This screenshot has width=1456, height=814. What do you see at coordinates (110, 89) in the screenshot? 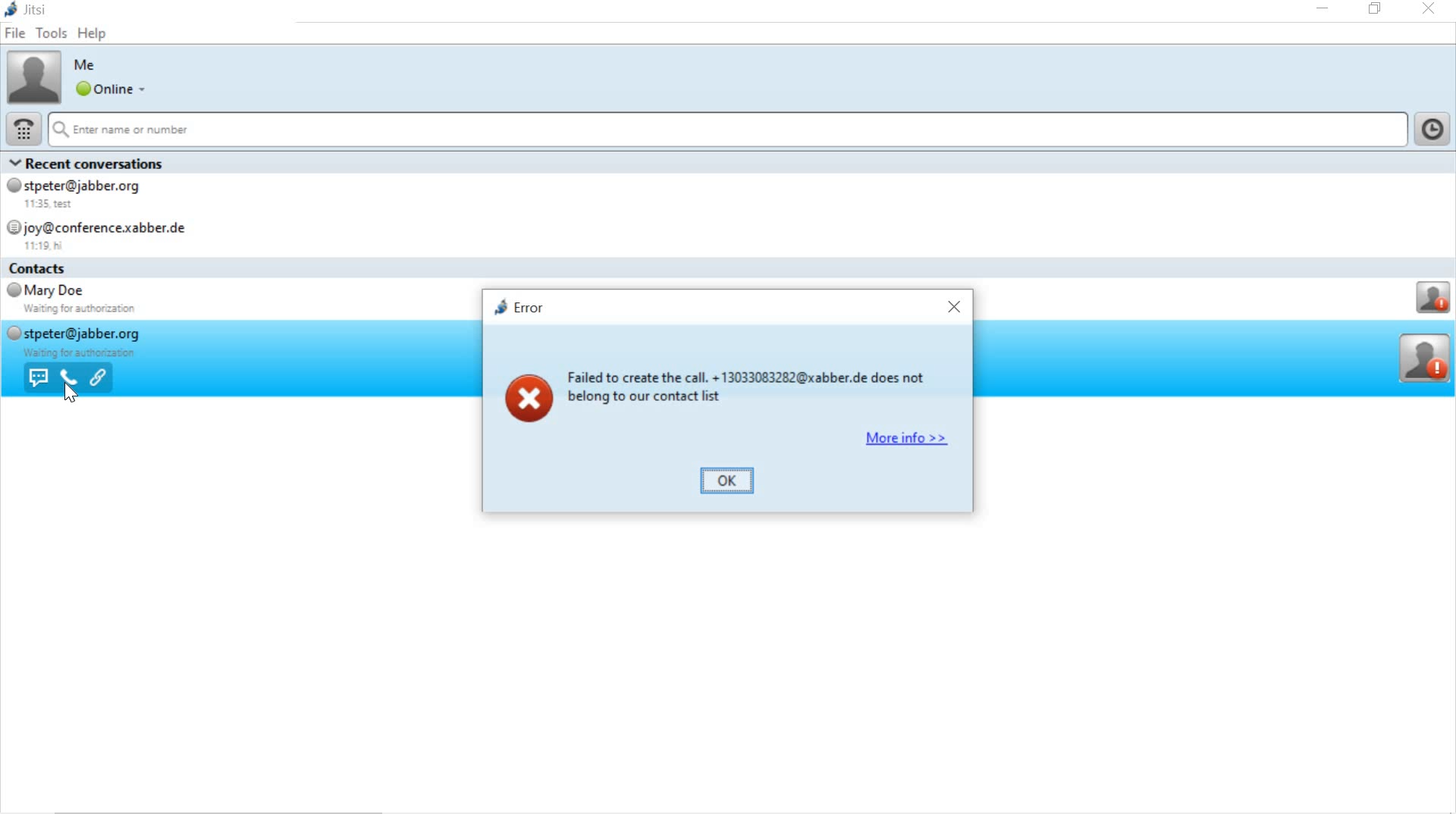
I see `online` at bounding box center [110, 89].